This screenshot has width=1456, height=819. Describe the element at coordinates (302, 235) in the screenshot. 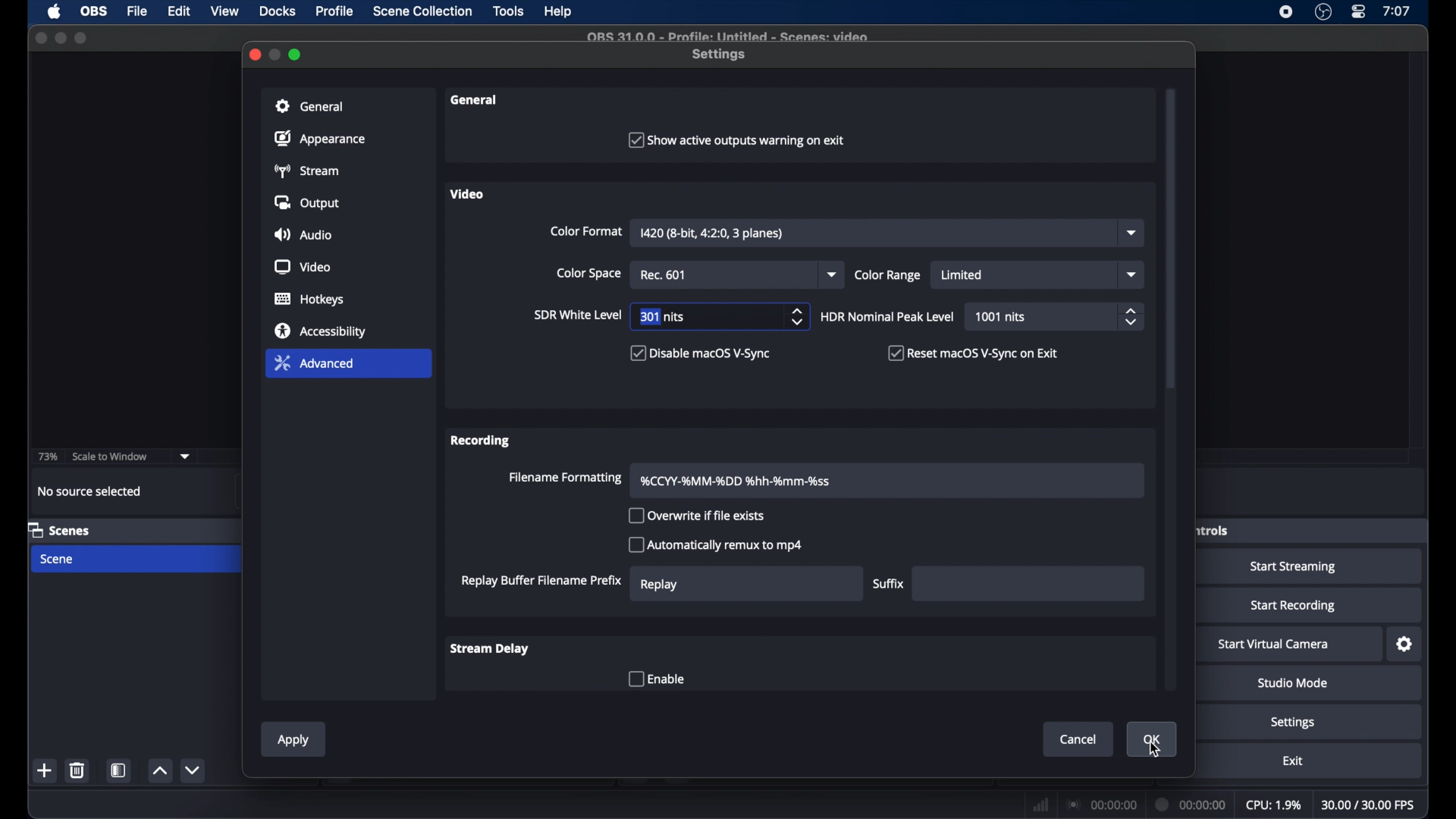

I see `audio` at that location.